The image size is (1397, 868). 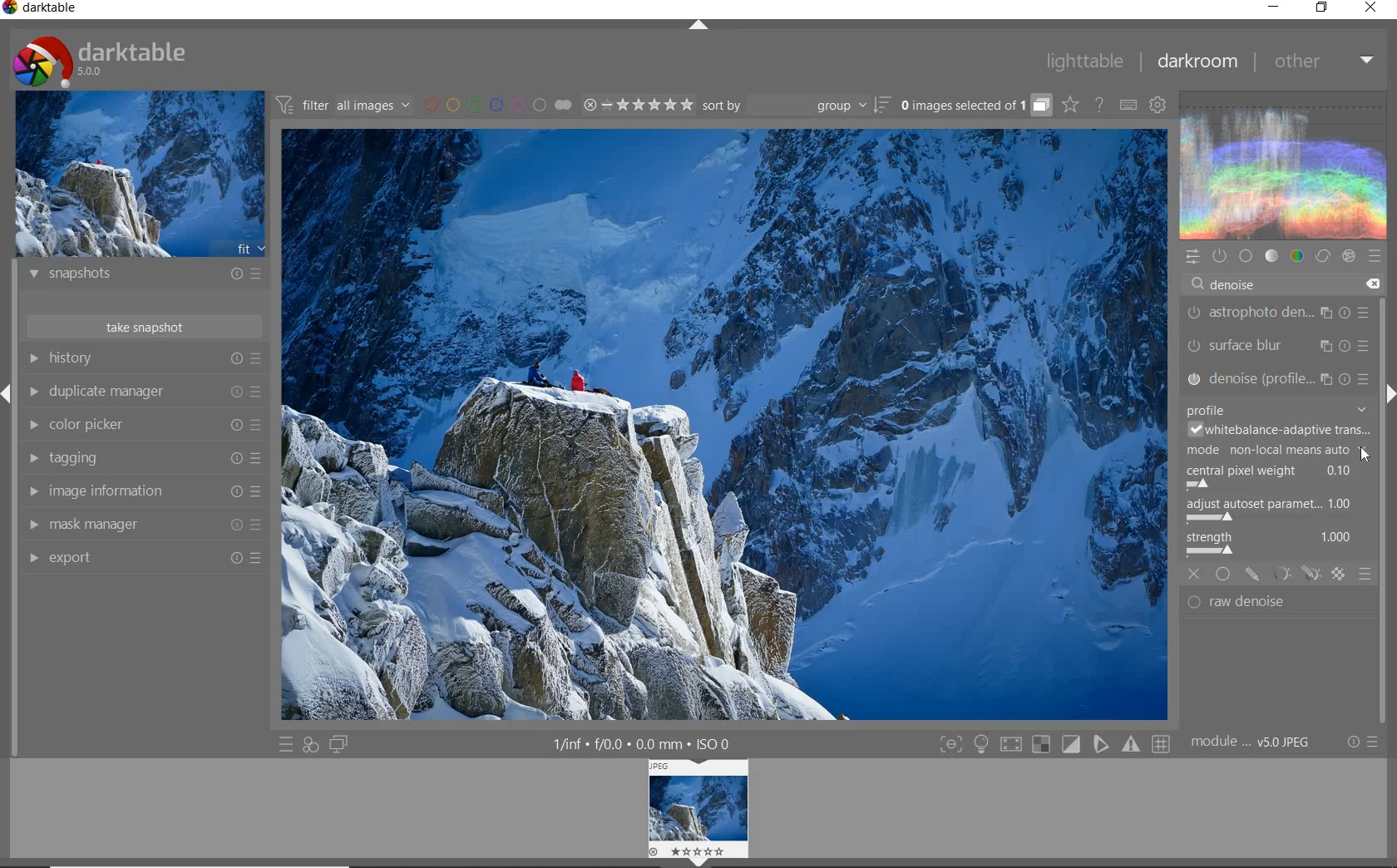 What do you see at coordinates (1158, 104) in the screenshot?
I see `show global preferences` at bounding box center [1158, 104].